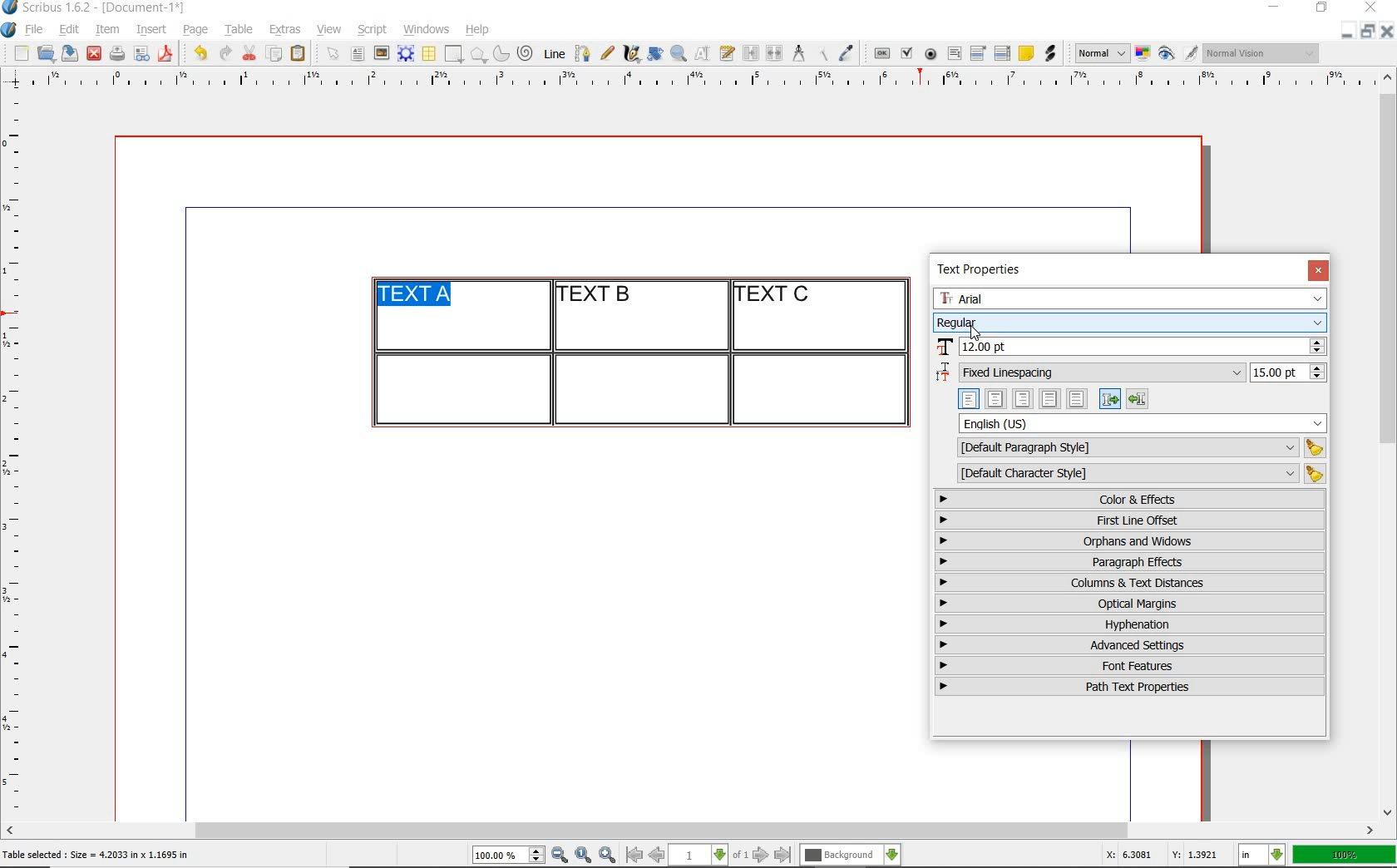 The height and width of the screenshot is (868, 1397). What do you see at coordinates (822, 53) in the screenshot?
I see `copy item properties` at bounding box center [822, 53].